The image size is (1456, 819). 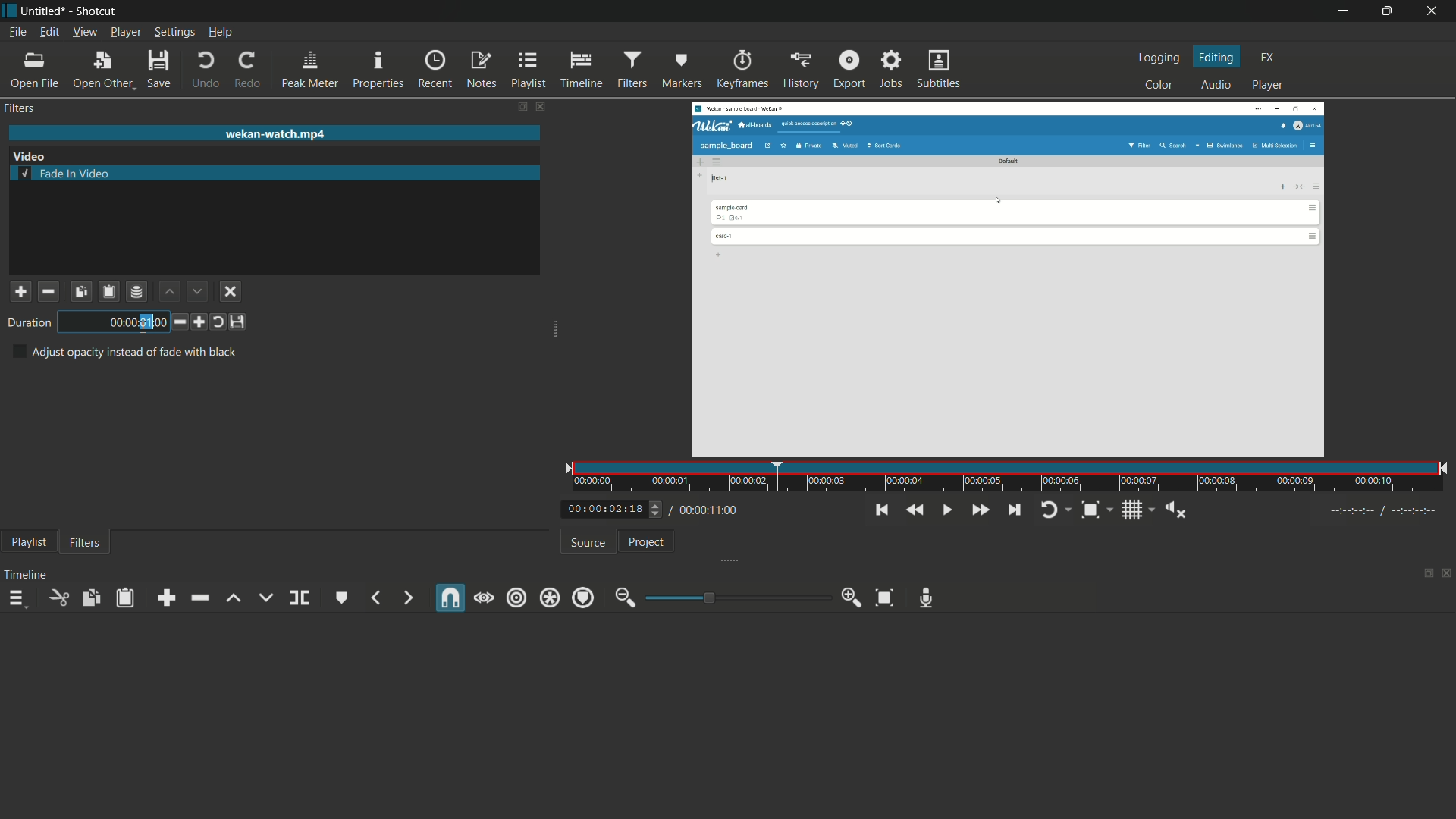 I want to click on change layout, so click(x=1426, y=572).